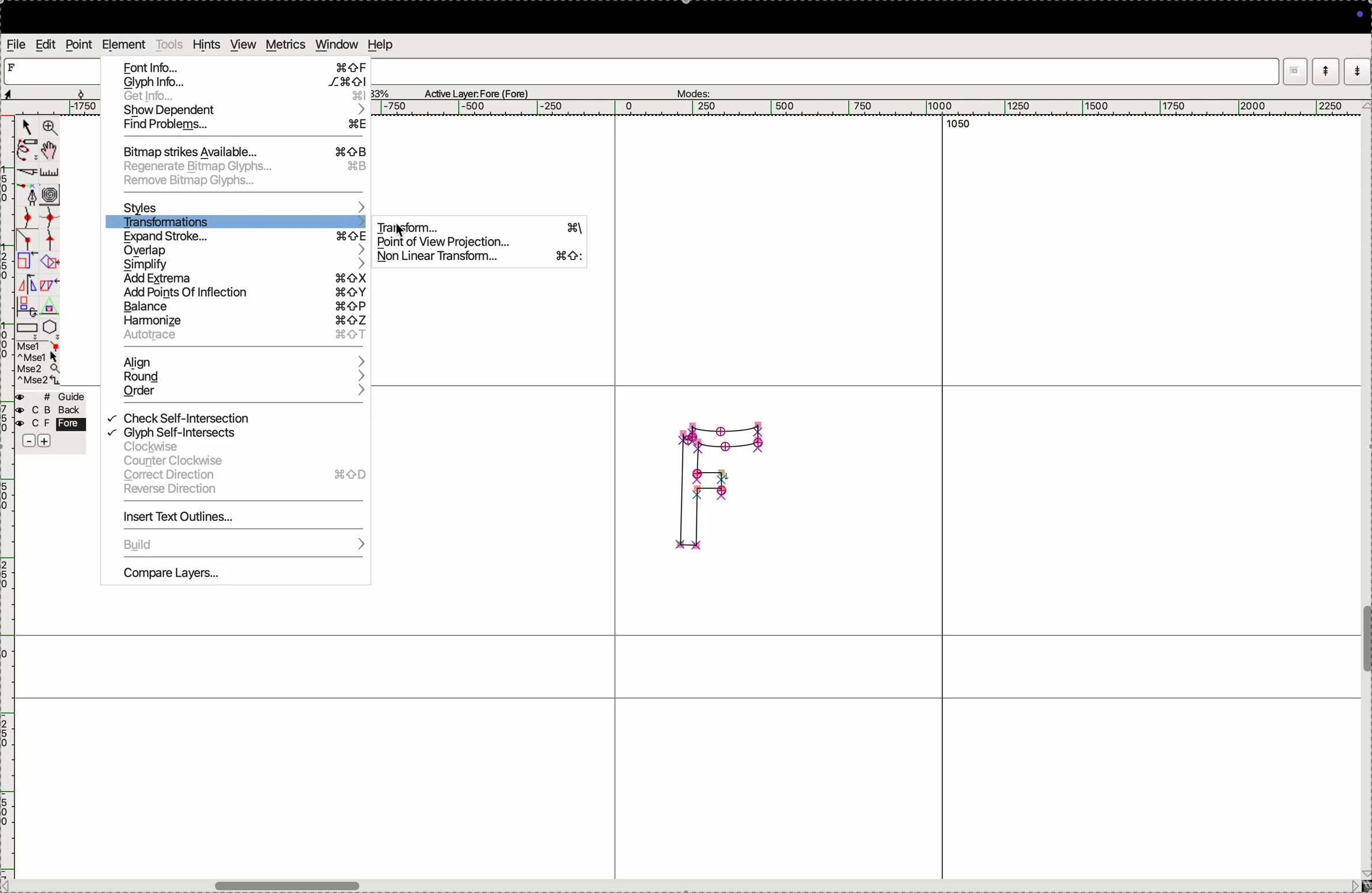  What do you see at coordinates (24, 307) in the screenshot?
I see `duplicate` at bounding box center [24, 307].